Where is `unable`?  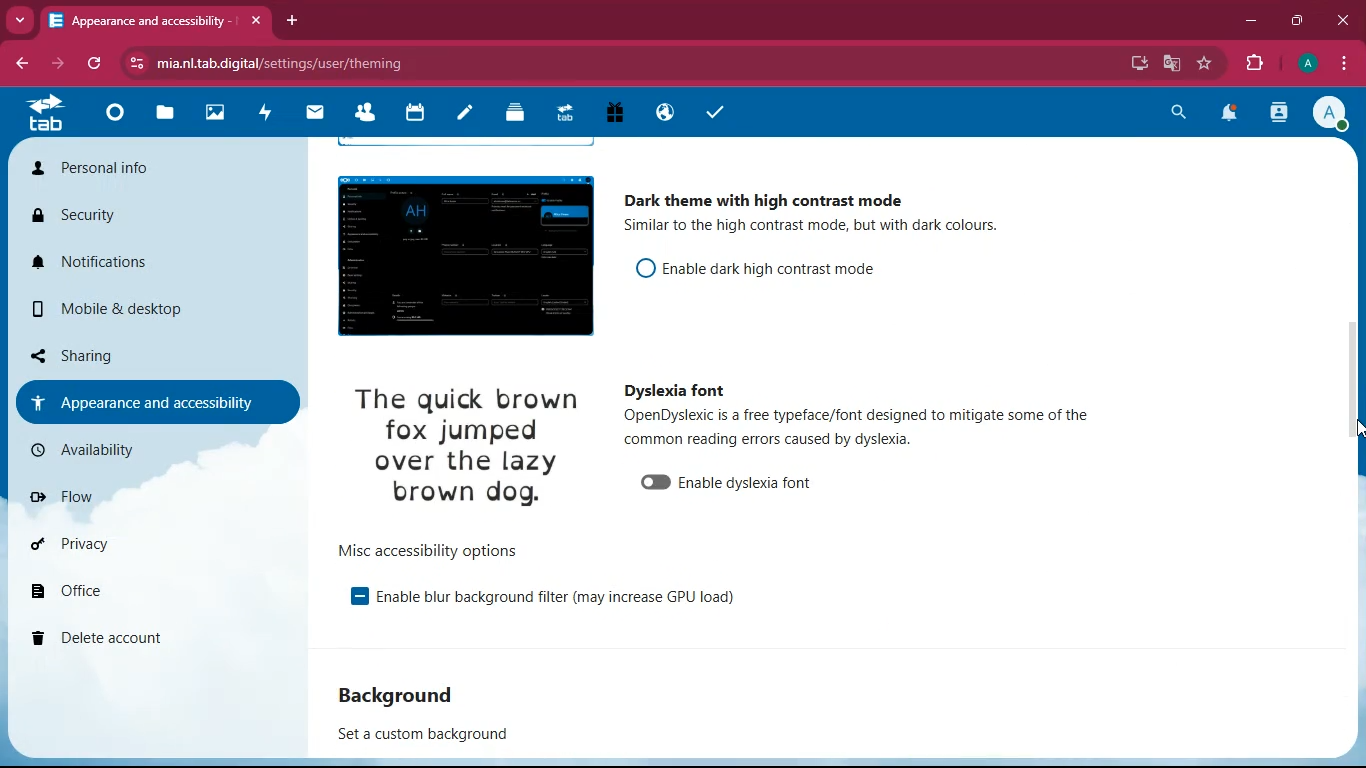 unable is located at coordinates (649, 485).